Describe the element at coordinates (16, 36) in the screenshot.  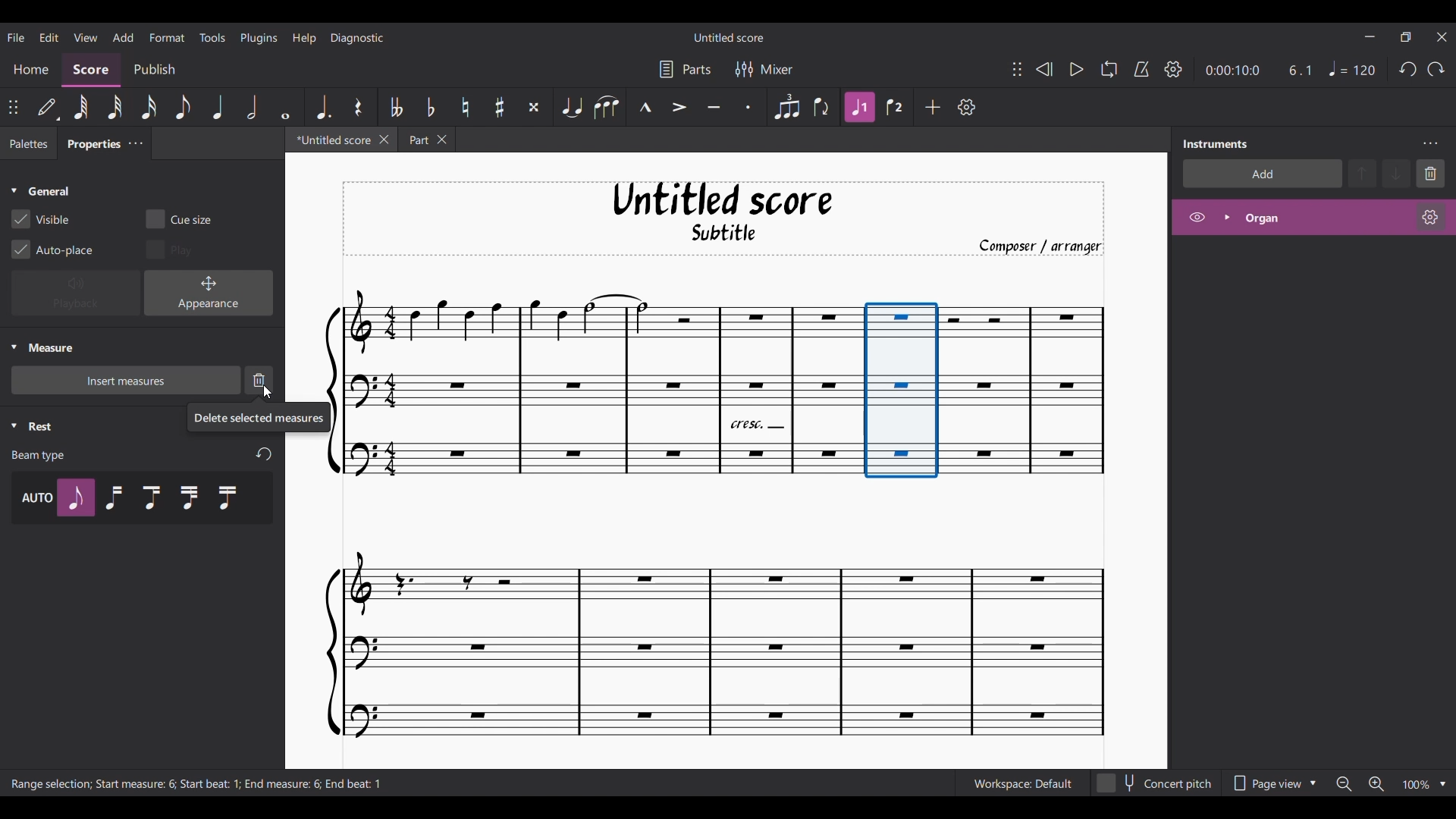
I see `File menu` at that location.